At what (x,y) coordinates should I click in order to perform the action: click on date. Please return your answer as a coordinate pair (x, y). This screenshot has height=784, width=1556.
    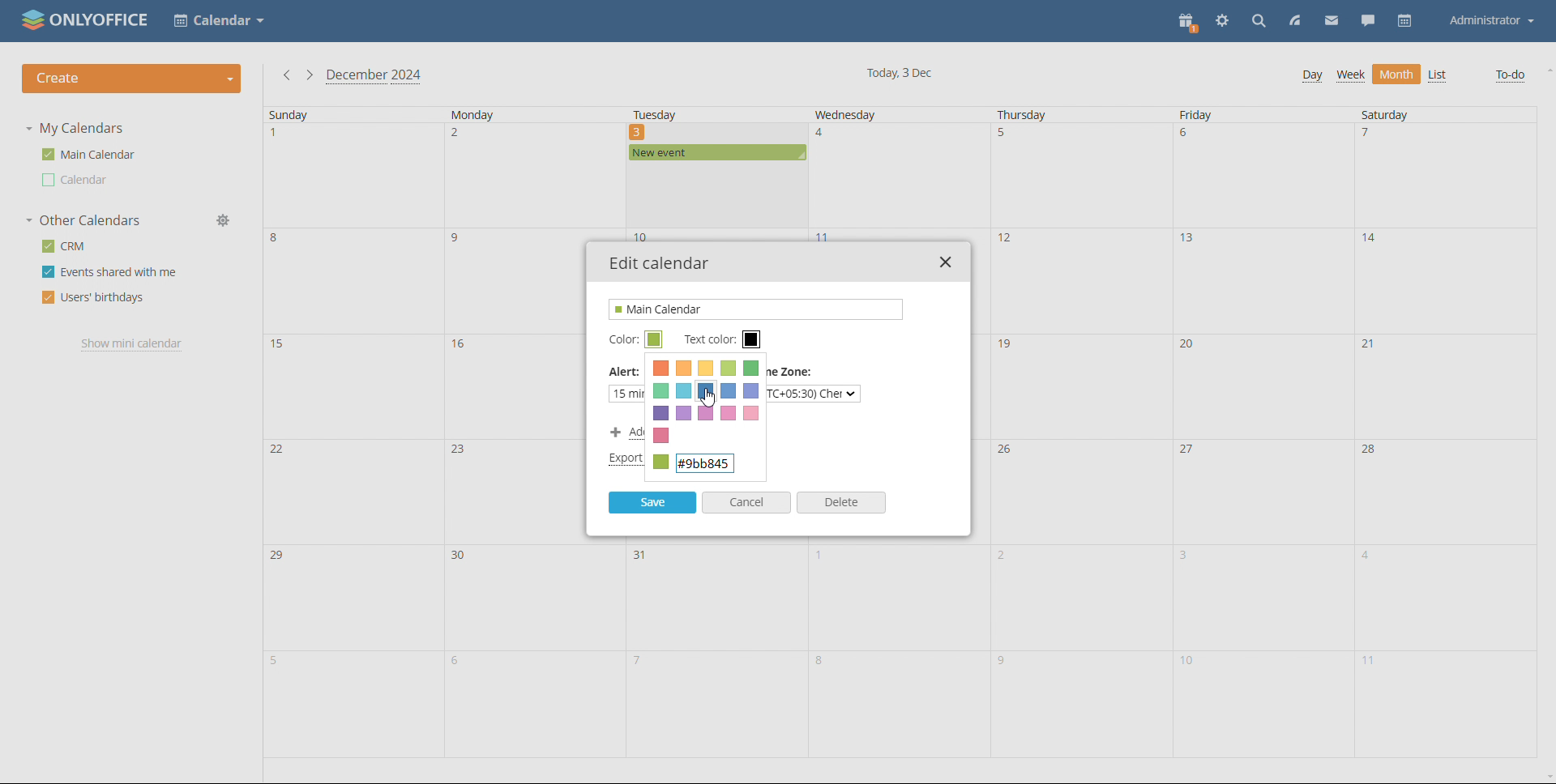
    Looking at the image, I should click on (717, 598).